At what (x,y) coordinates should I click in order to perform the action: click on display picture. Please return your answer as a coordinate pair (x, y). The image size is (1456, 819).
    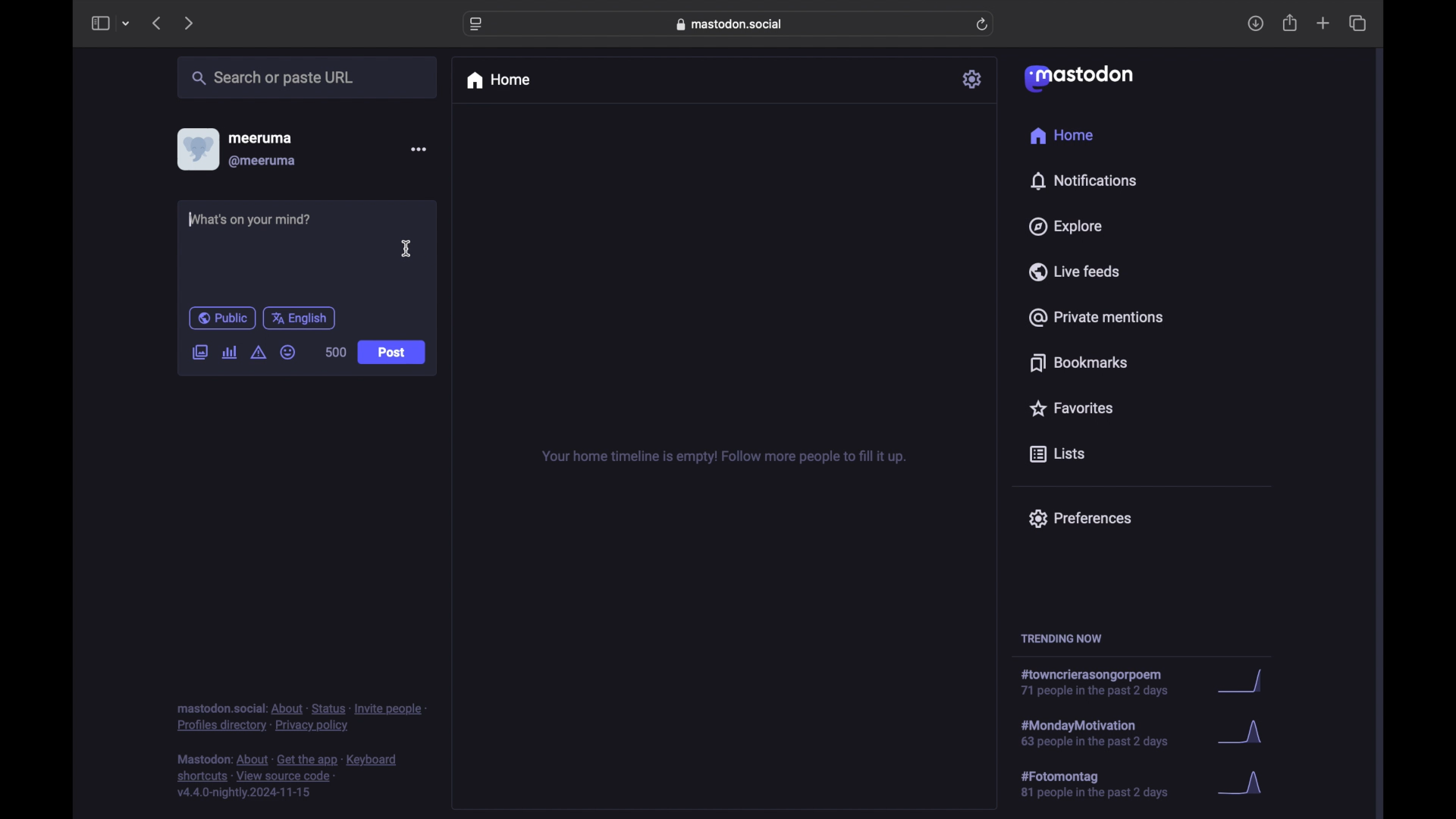
    Looking at the image, I should click on (196, 149).